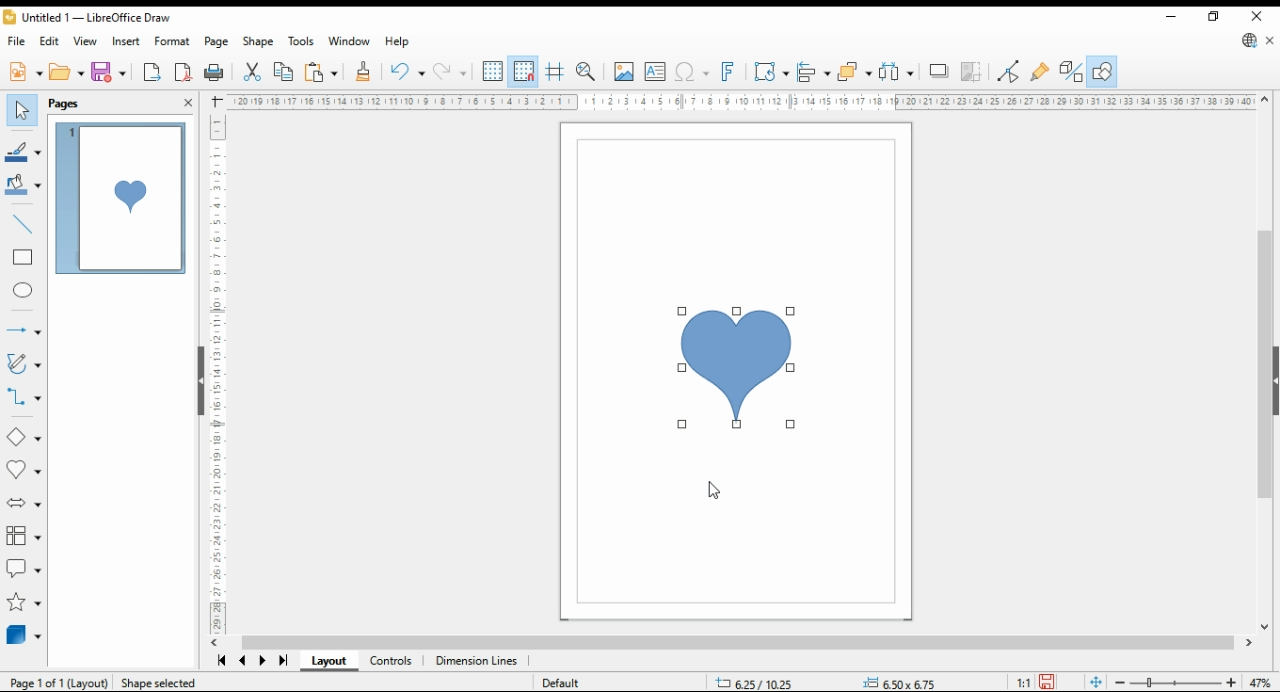 This screenshot has height=692, width=1280. Describe the element at coordinates (771, 71) in the screenshot. I see `transformations` at that location.